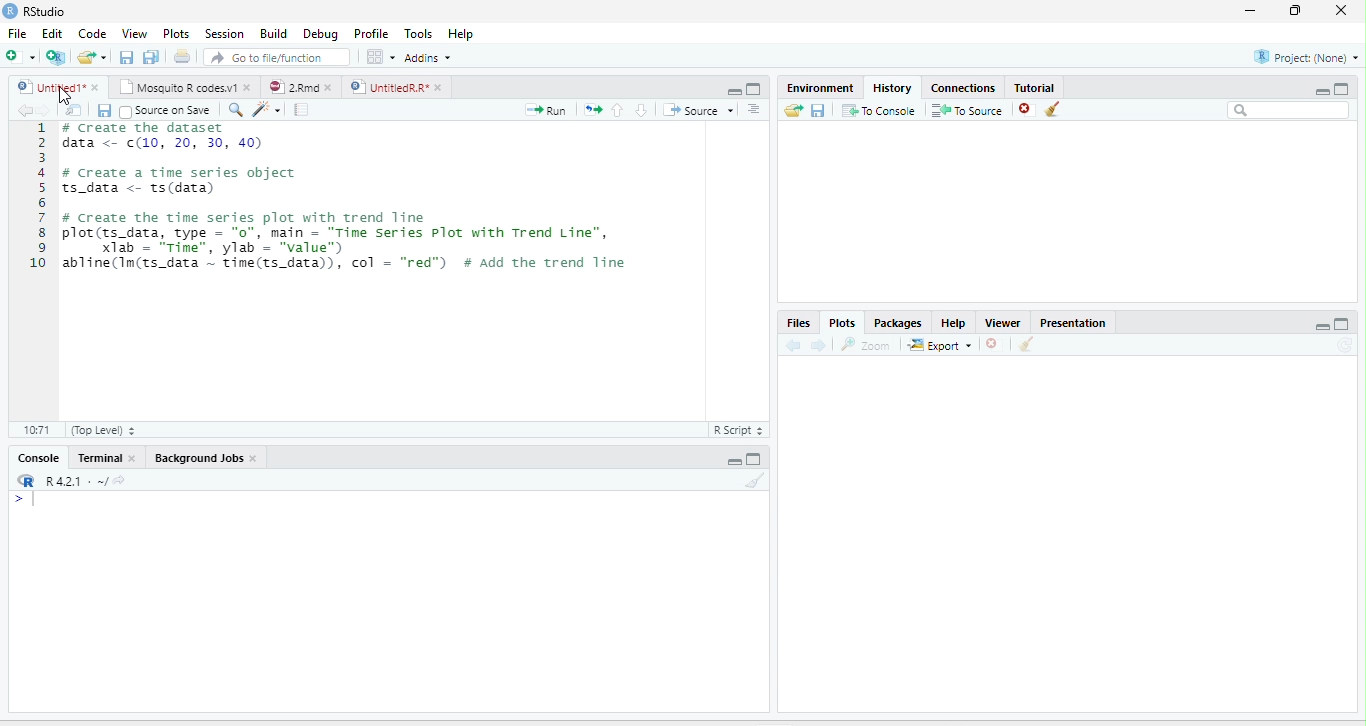 Image resolution: width=1366 pixels, height=726 pixels. I want to click on Plots, so click(176, 33).